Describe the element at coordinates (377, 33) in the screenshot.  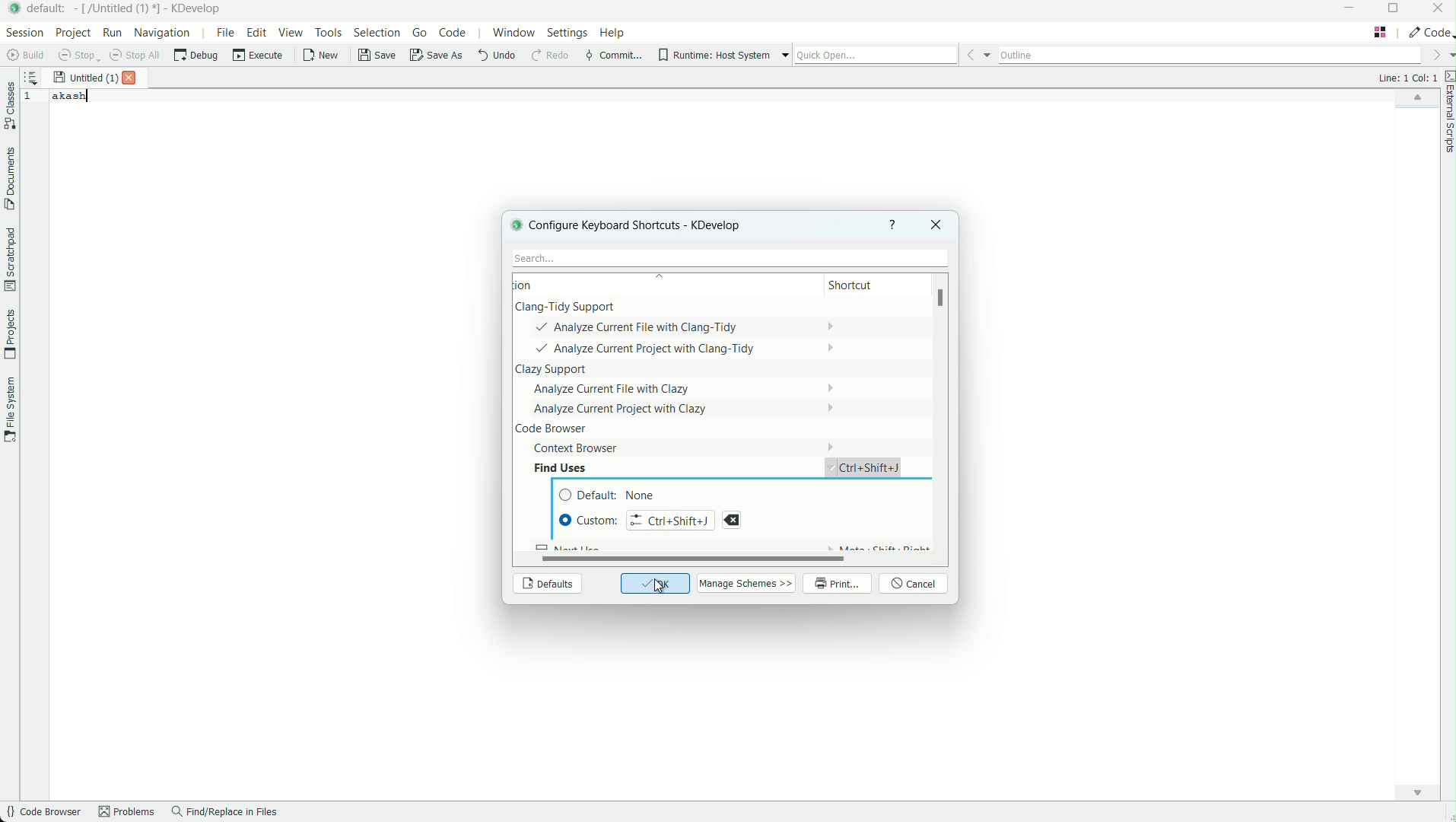
I see `selection menu` at that location.